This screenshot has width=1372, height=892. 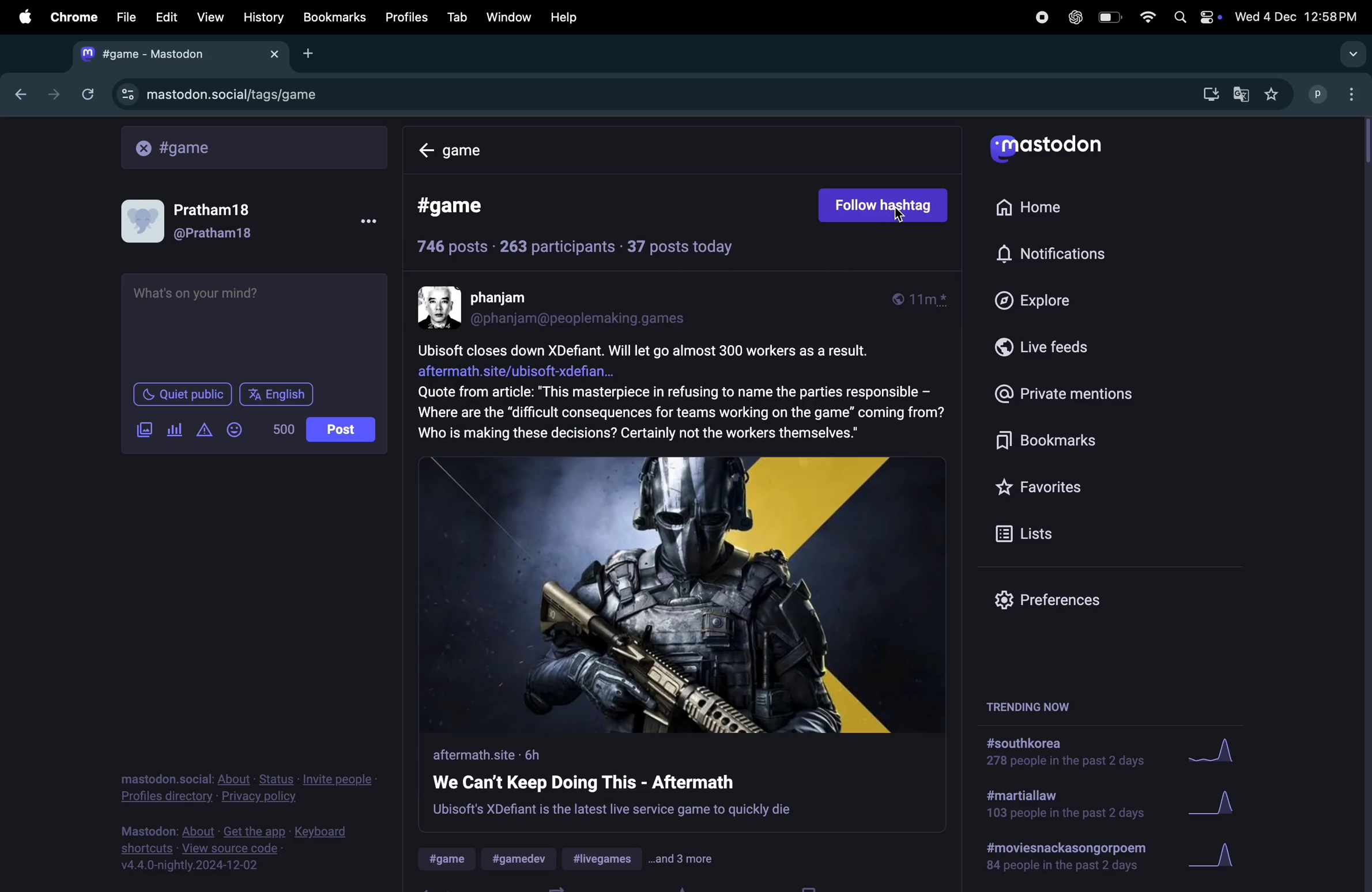 I want to click on mastodon url, so click(x=217, y=95).